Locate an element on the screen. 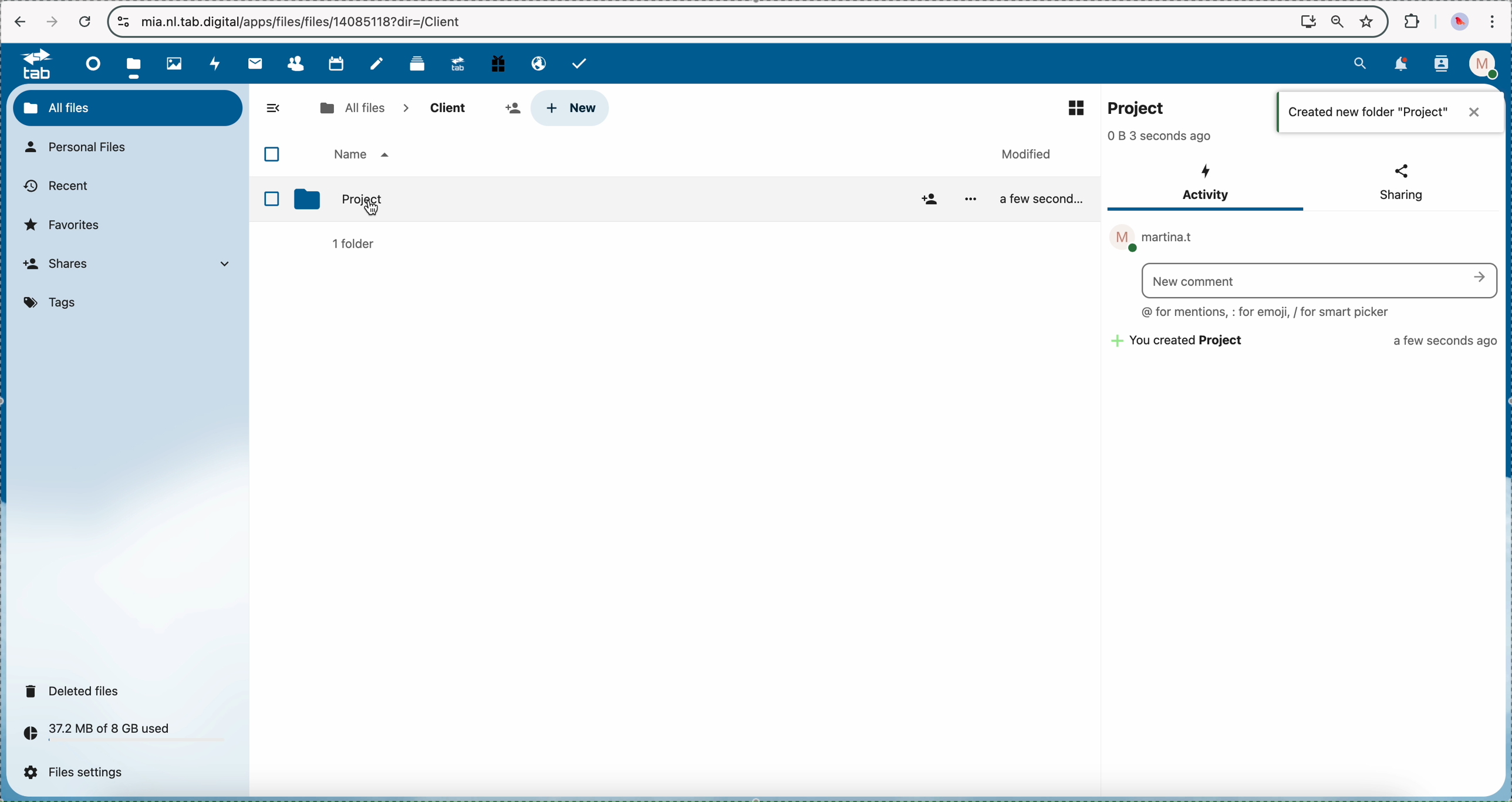  url is located at coordinates (308, 22).